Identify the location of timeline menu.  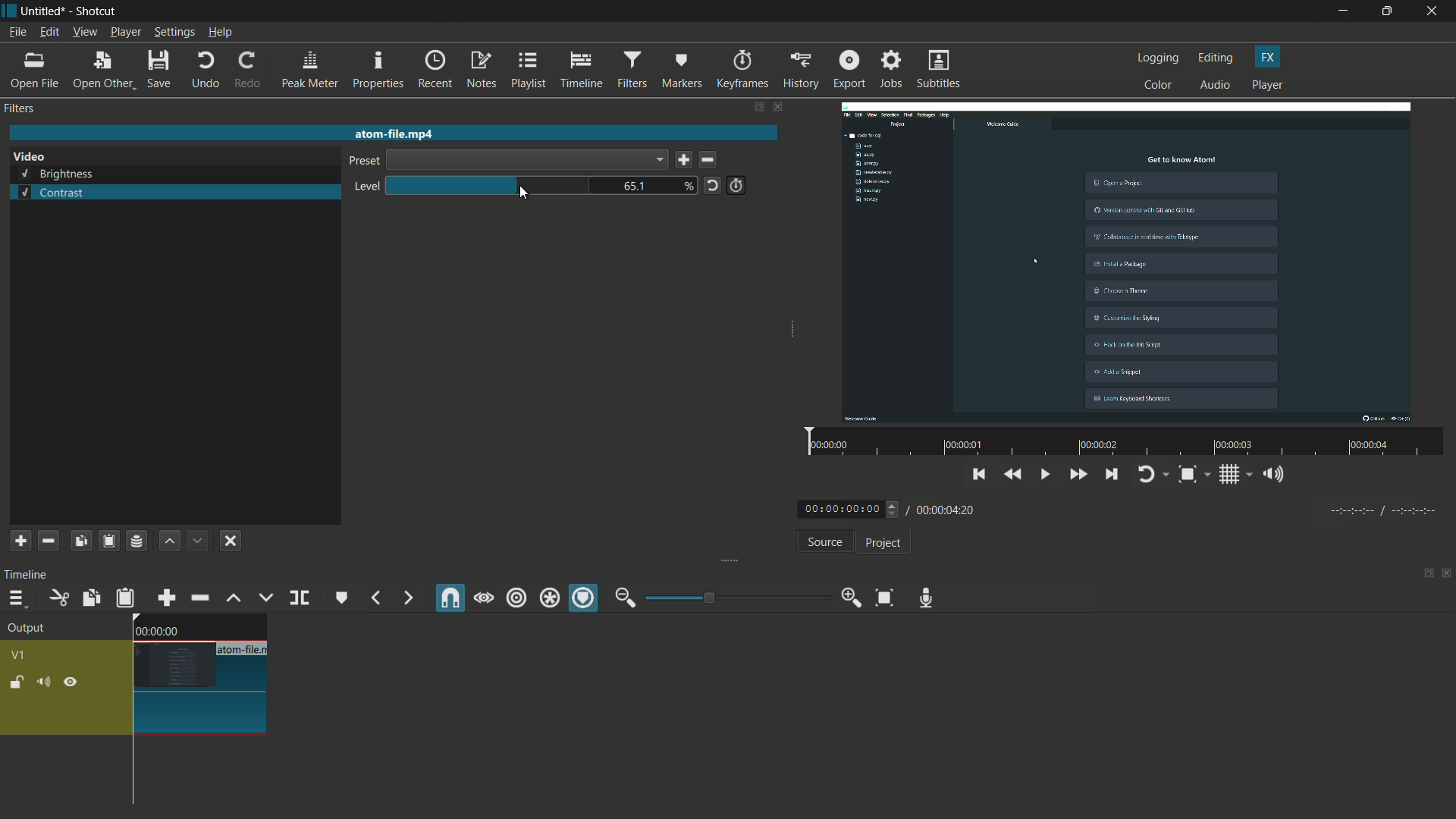
(17, 600).